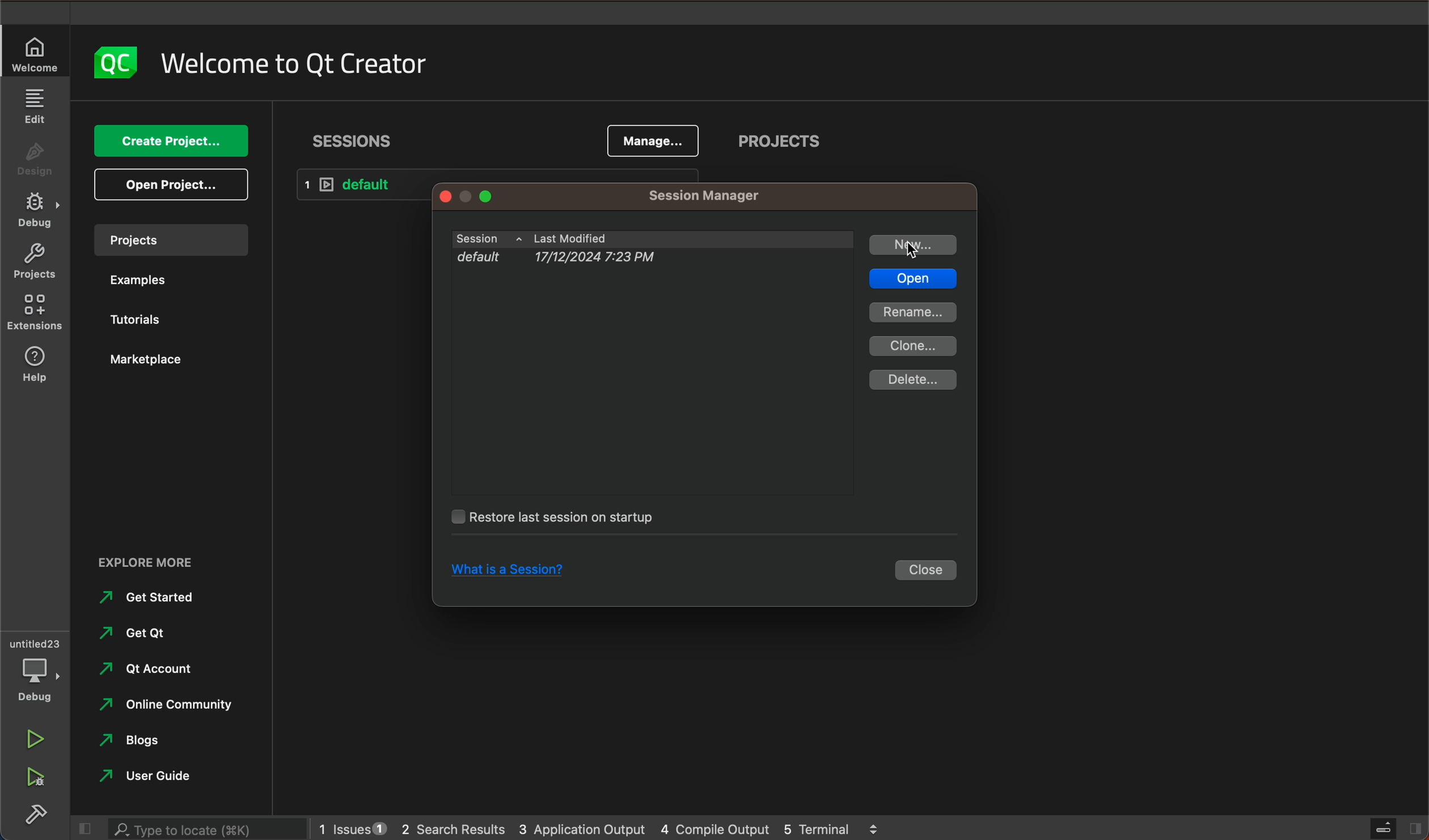 The width and height of the screenshot is (1429, 840). What do you see at coordinates (912, 380) in the screenshot?
I see `delete` at bounding box center [912, 380].